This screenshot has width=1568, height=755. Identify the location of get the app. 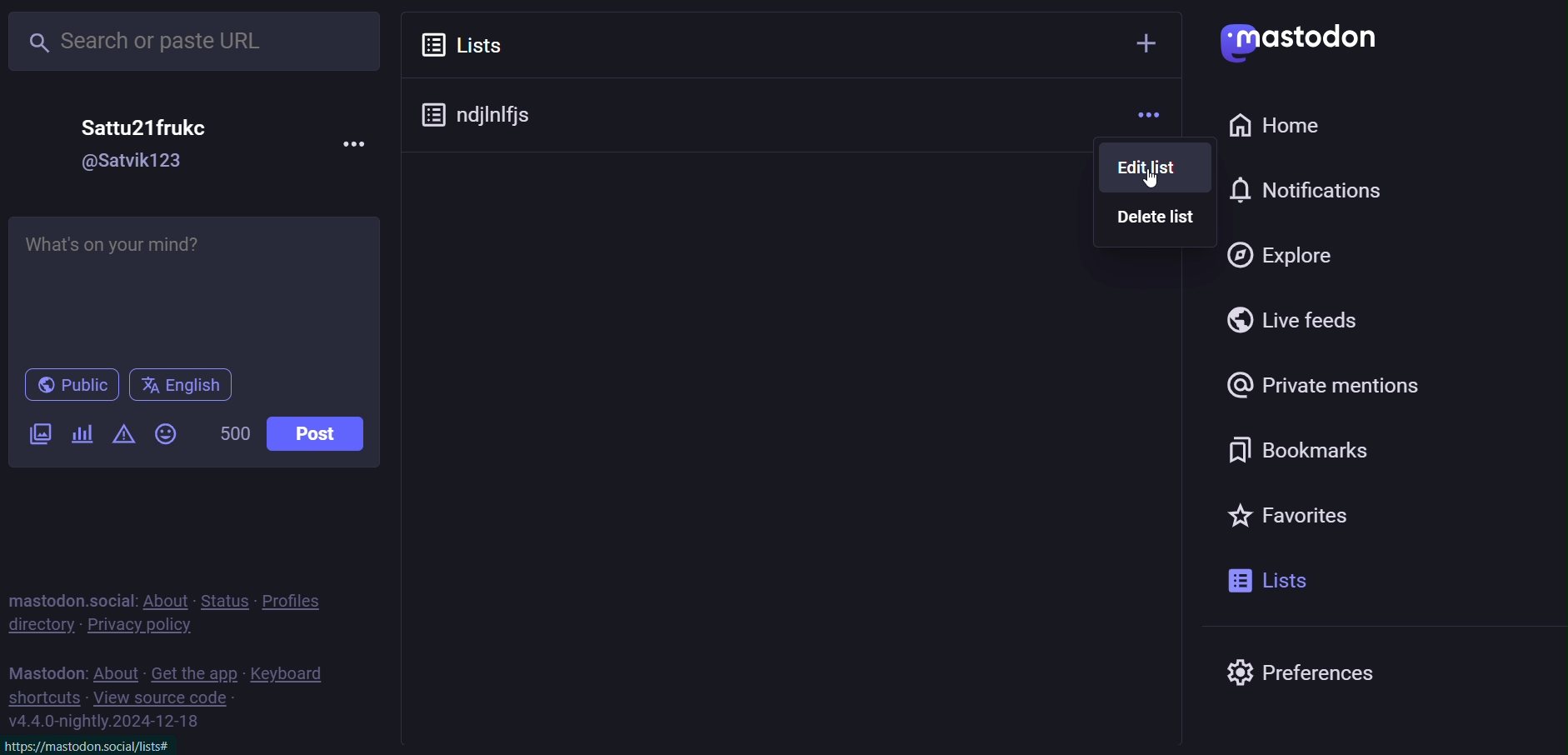
(196, 672).